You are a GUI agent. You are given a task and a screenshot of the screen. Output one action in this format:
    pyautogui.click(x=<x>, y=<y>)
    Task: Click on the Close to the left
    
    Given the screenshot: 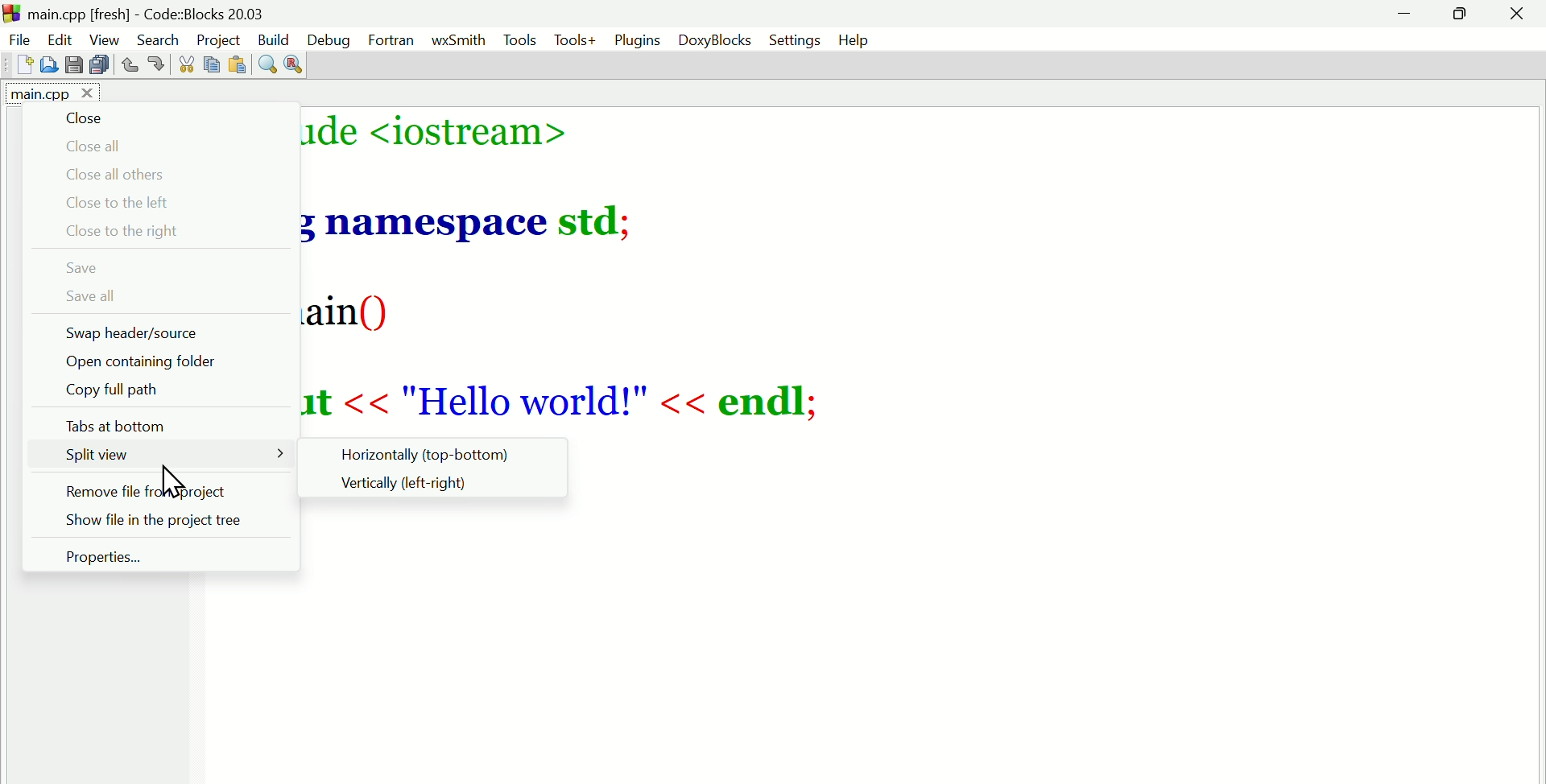 What is the action you would take?
    pyautogui.click(x=123, y=202)
    